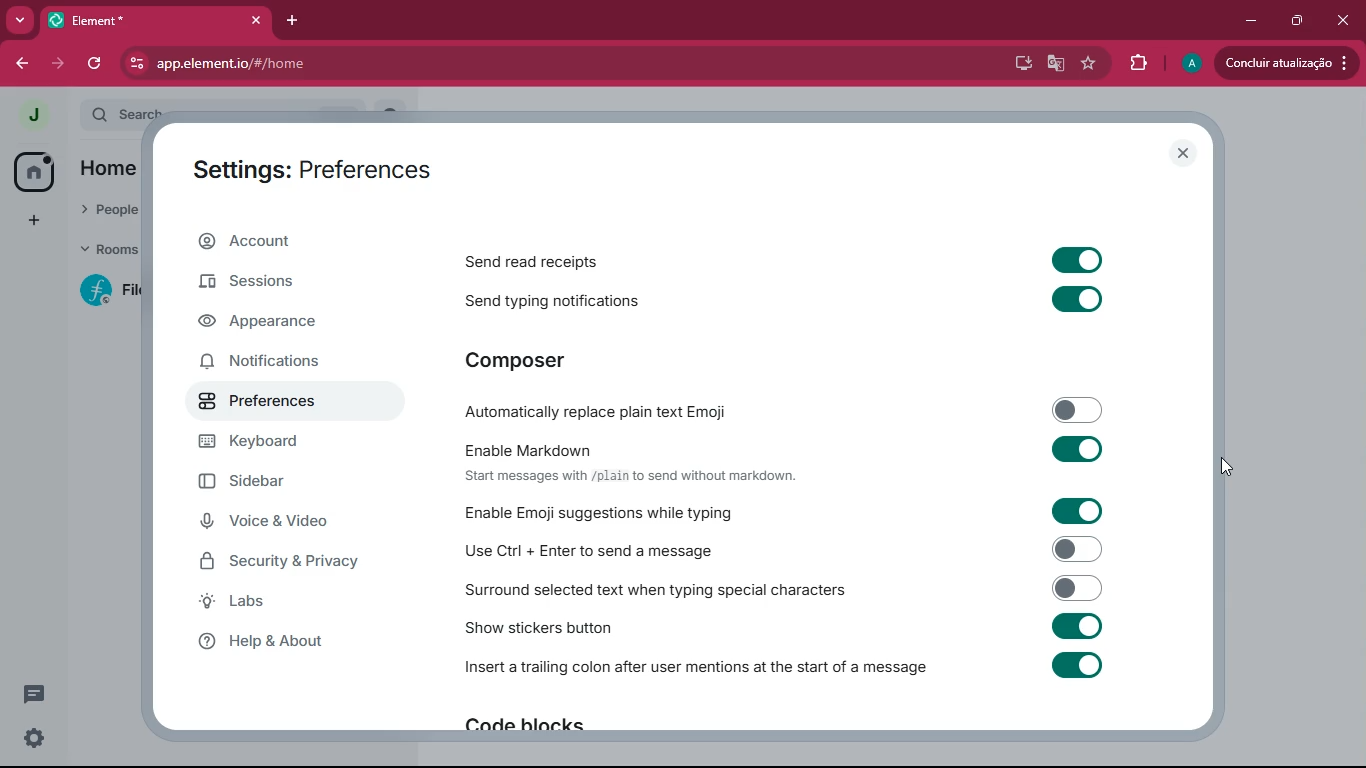  What do you see at coordinates (1285, 61) in the screenshot?
I see `conduir atualizacao` at bounding box center [1285, 61].